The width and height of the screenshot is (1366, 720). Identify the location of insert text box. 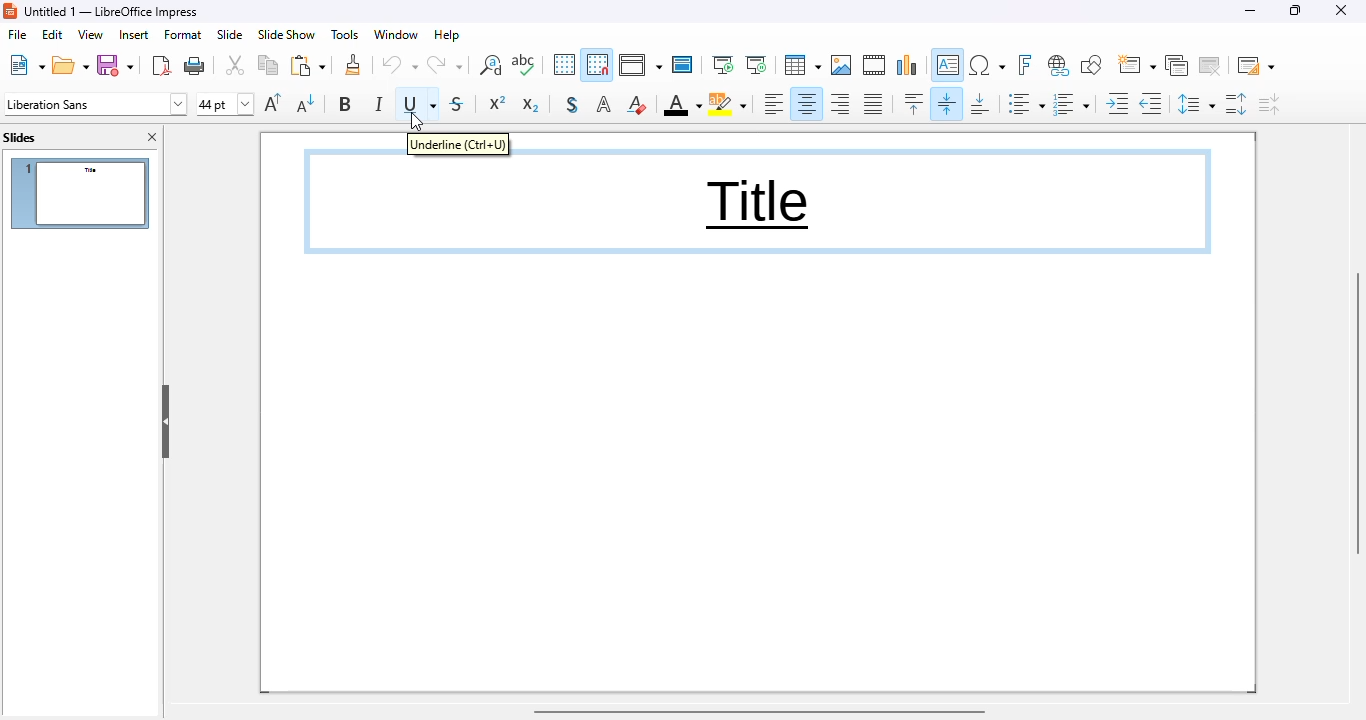
(947, 65).